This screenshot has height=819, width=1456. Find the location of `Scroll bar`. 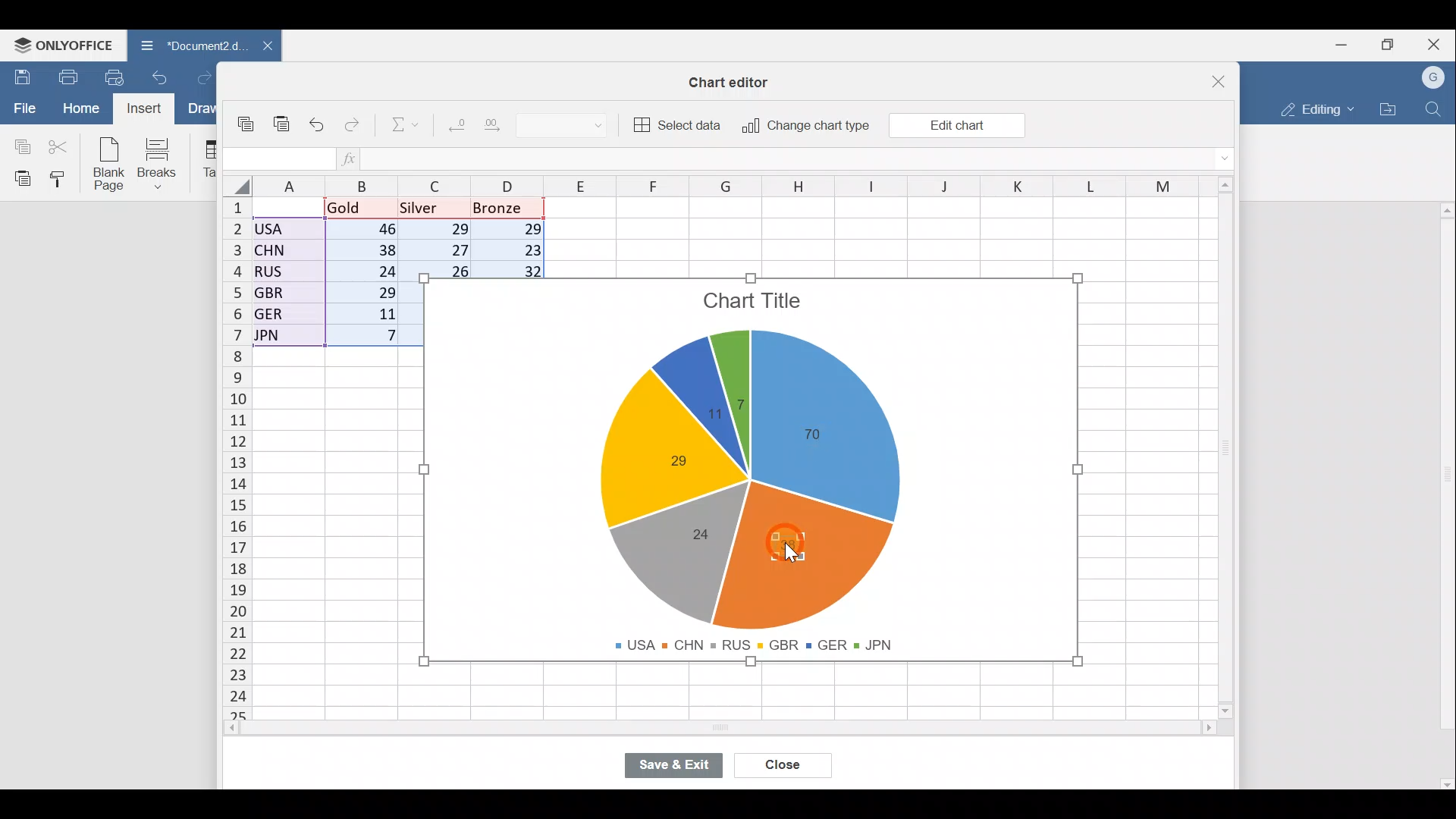

Scroll bar is located at coordinates (1442, 490).